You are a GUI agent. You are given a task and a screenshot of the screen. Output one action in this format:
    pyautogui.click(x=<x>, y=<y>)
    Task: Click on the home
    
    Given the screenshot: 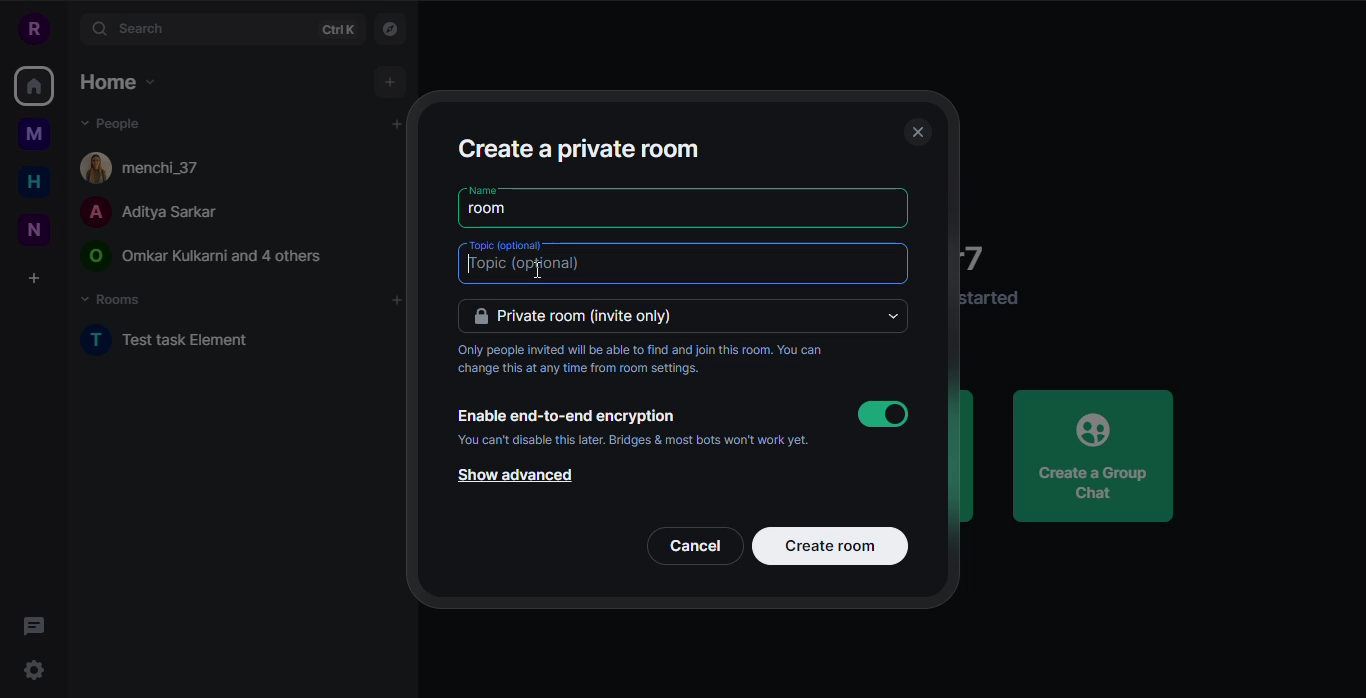 What is the action you would take?
    pyautogui.click(x=115, y=81)
    